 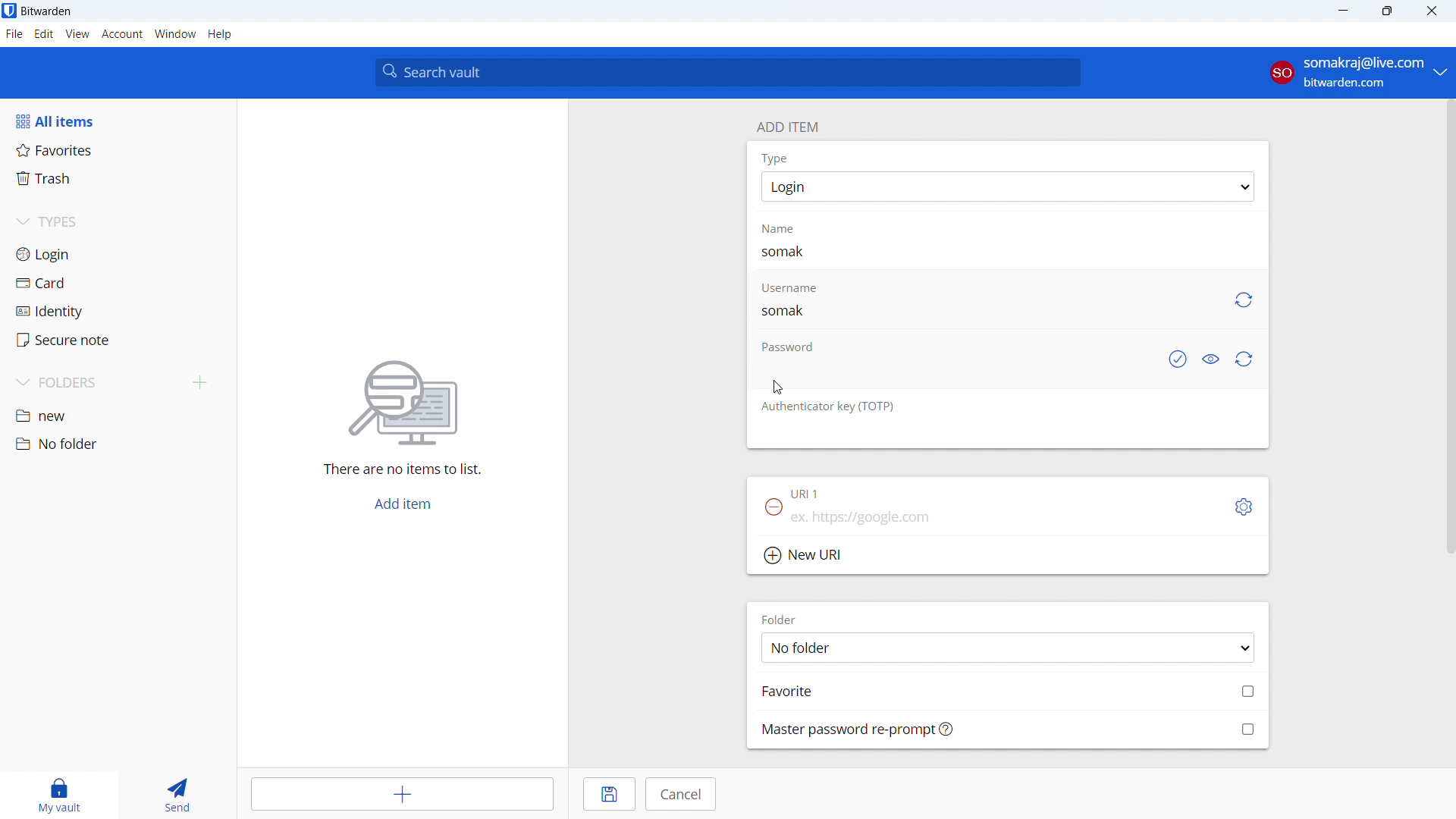 I want to click on generate password, so click(x=1245, y=359).